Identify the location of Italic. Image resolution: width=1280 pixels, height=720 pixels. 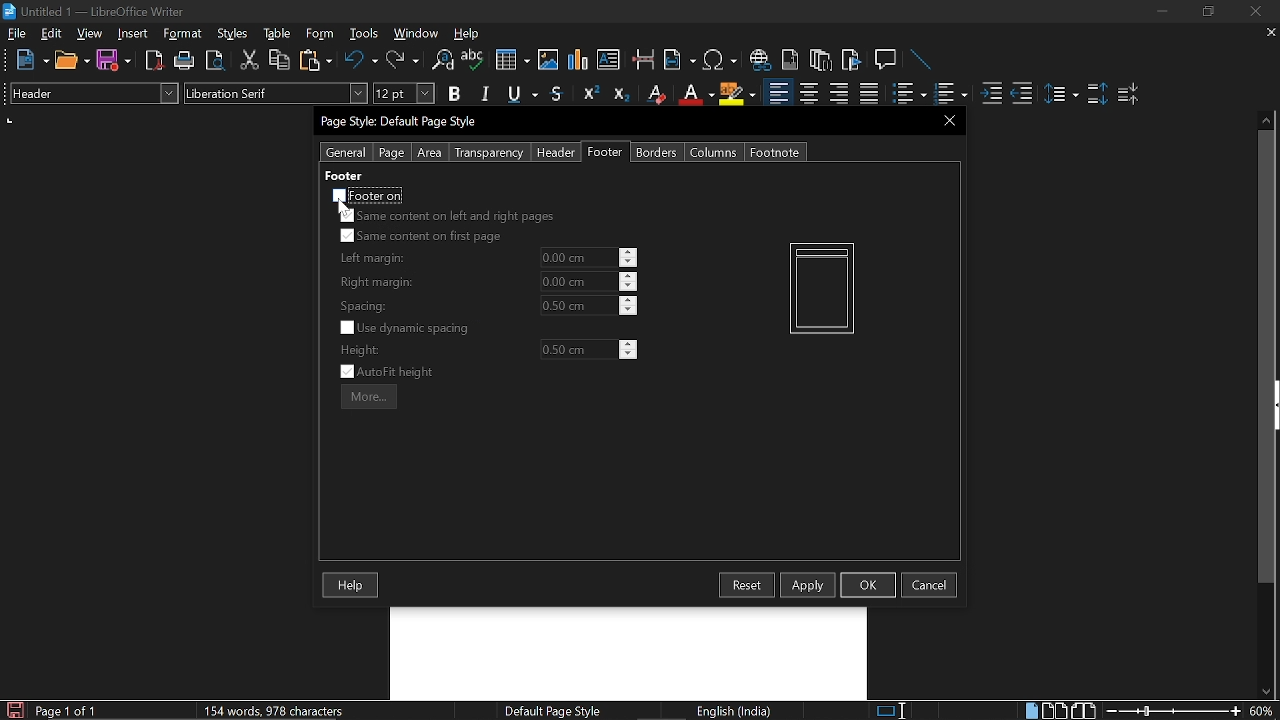
(486, 94).